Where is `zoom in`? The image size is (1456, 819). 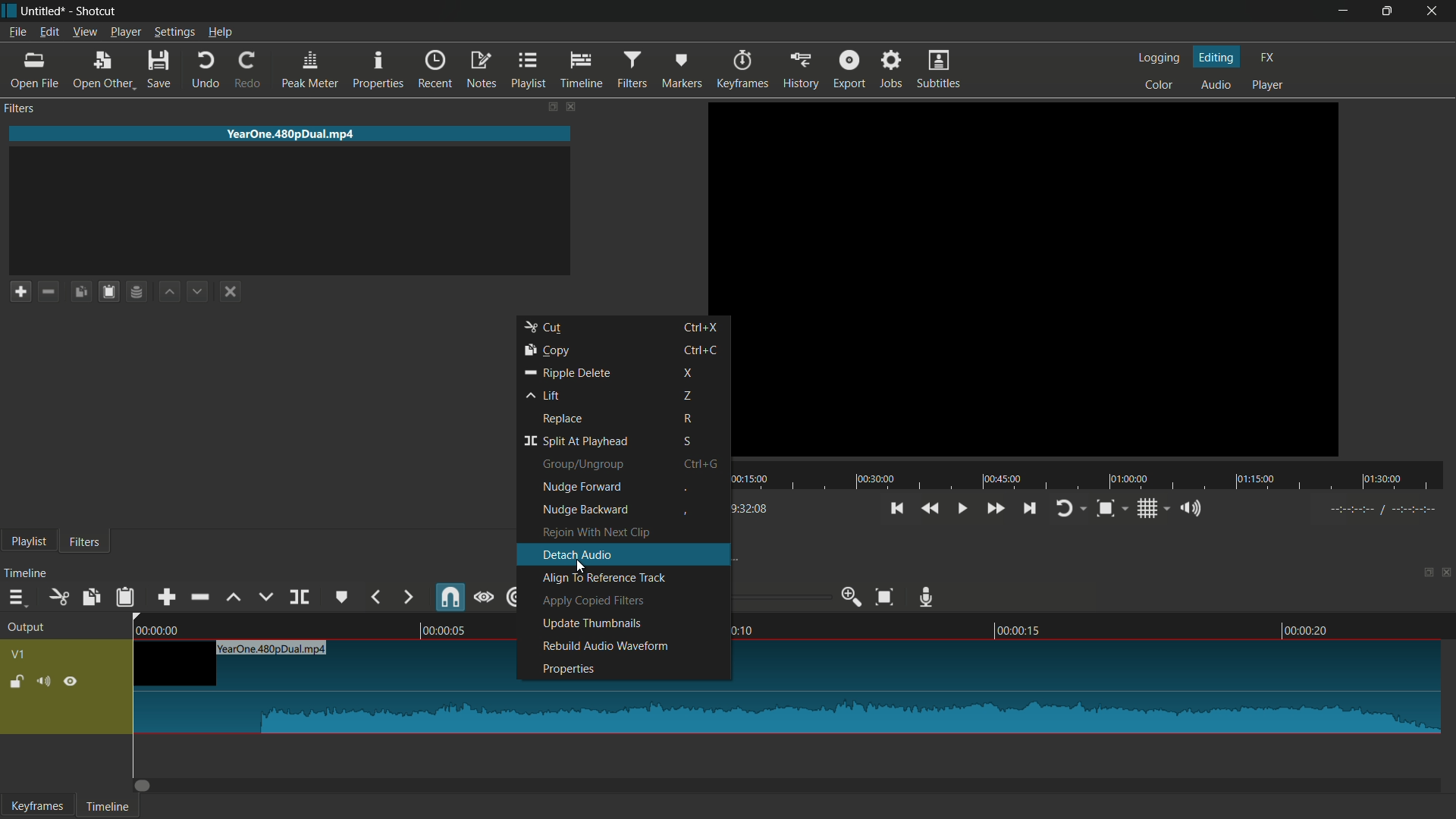 zoom in is located at coordinates (848, 597).